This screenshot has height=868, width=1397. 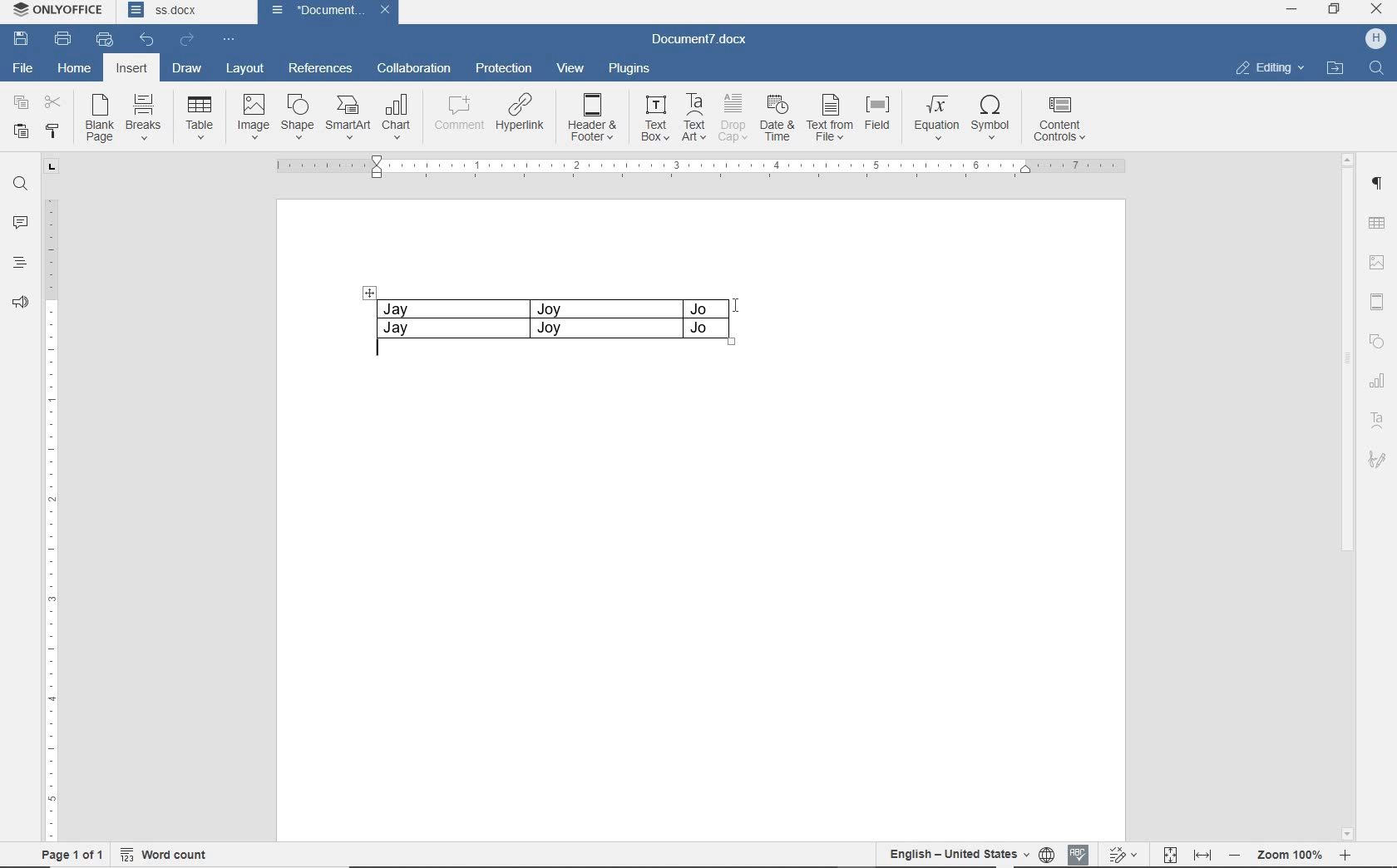 What do you see at coordinates (1337, 8) in the screenshot?
I see `RESTORE DOWN` at bounding box center [1337, 8].